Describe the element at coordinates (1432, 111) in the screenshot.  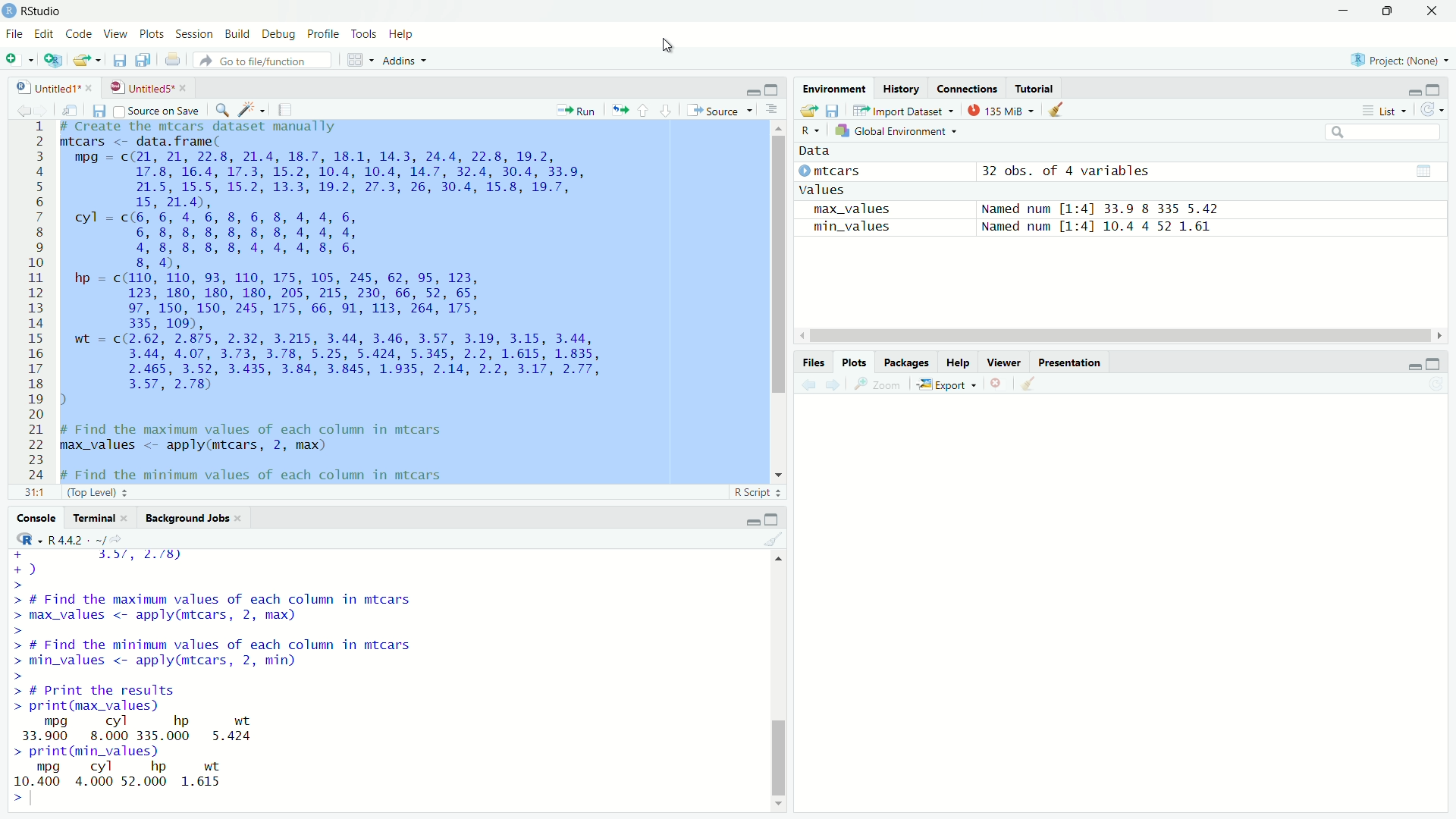
I see `refresh` at that location.